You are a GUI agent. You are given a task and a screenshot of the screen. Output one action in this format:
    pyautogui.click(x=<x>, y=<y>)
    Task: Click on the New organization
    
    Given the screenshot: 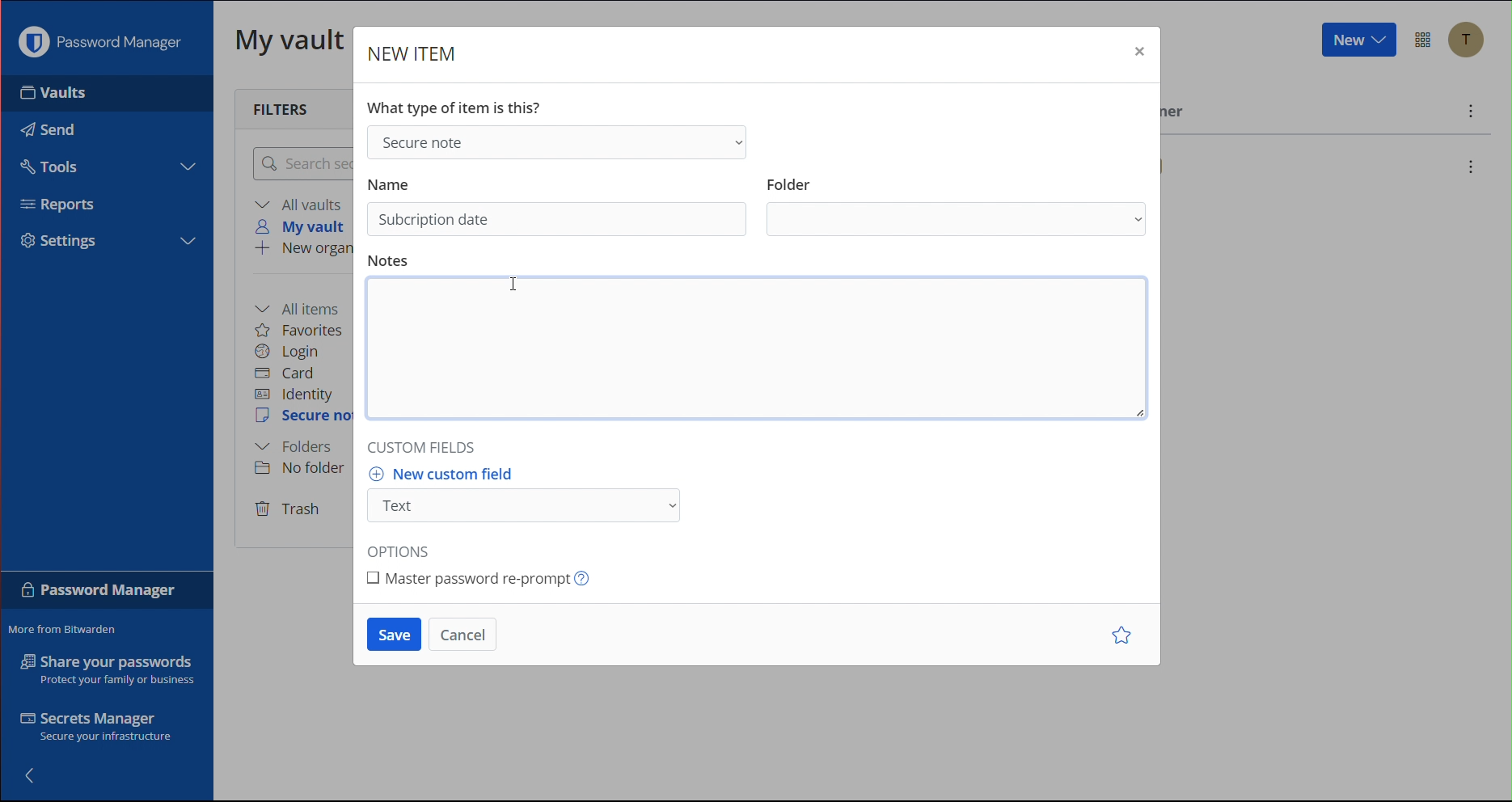 What is the action you would take?
    pyautogui.click(x=302, y=250)
    